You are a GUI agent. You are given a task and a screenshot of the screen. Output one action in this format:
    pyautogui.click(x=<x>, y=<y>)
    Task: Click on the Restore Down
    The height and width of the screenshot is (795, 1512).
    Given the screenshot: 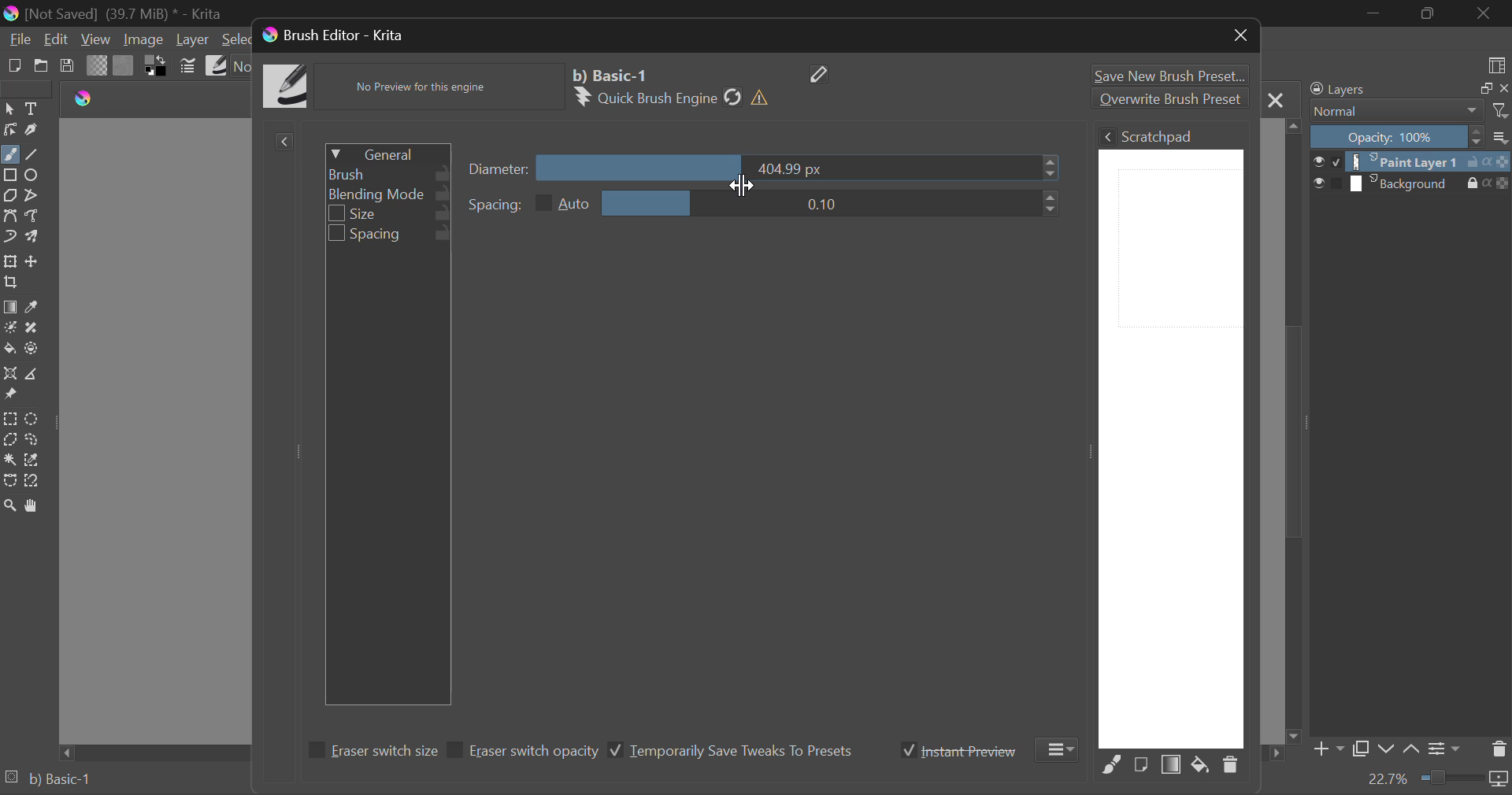 What is the action you would take?
    pyautogui.click(x=1374, y=15)
    